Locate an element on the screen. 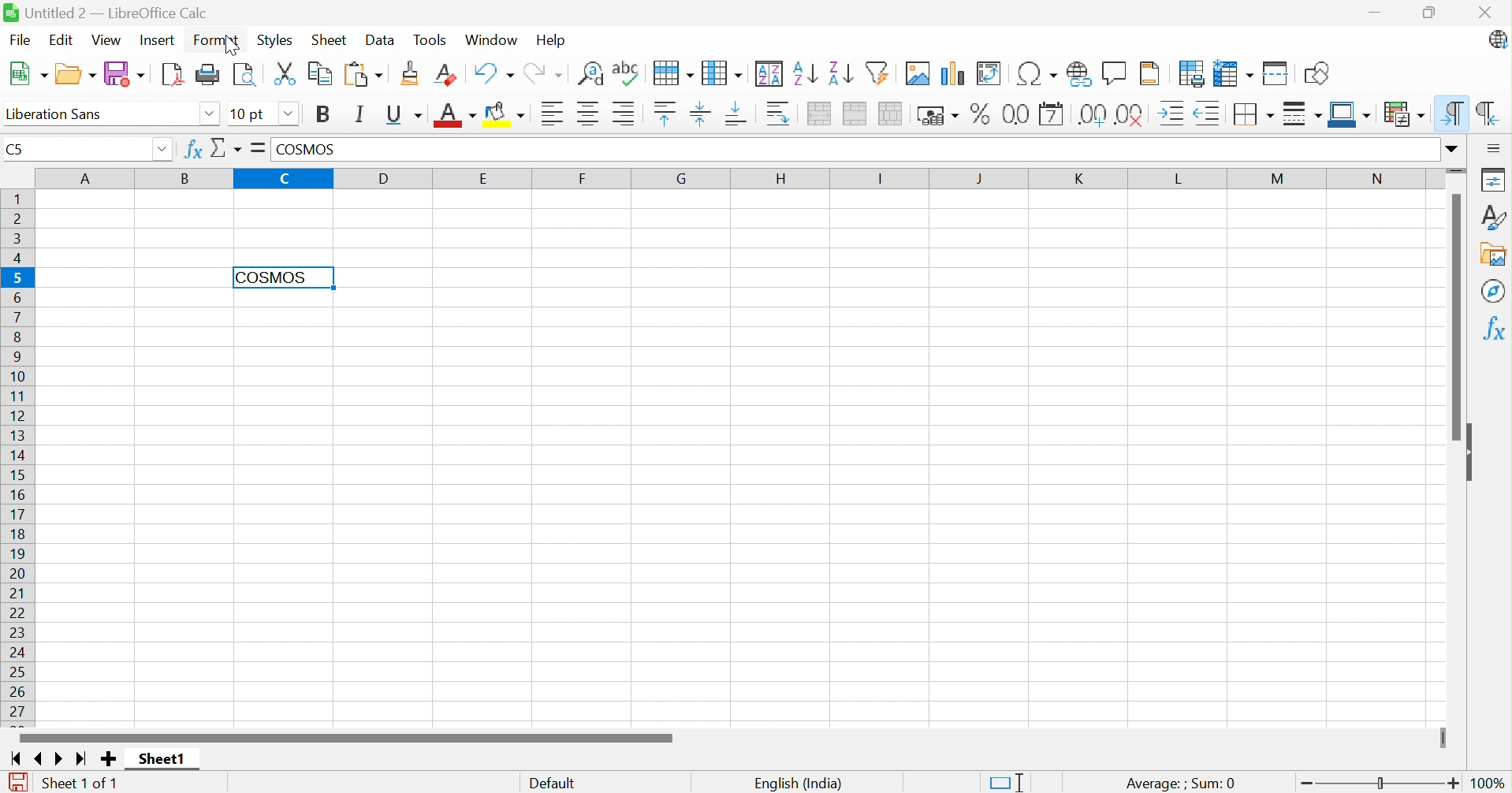 Image resolution: width=1512 pixels, height=793 pixels. Sort Ascending is located at coordinates (807, 73).